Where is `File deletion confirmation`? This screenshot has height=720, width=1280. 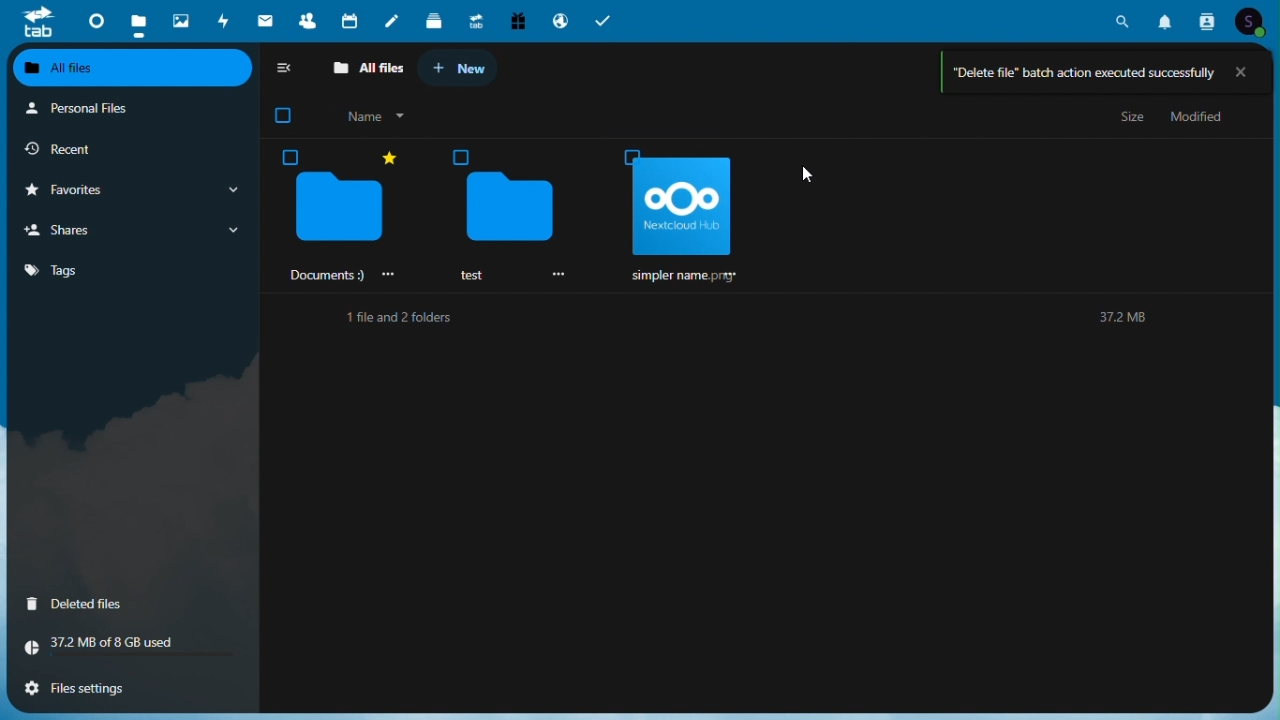 File deletion confirmation is located at coordinates (1099, 72).